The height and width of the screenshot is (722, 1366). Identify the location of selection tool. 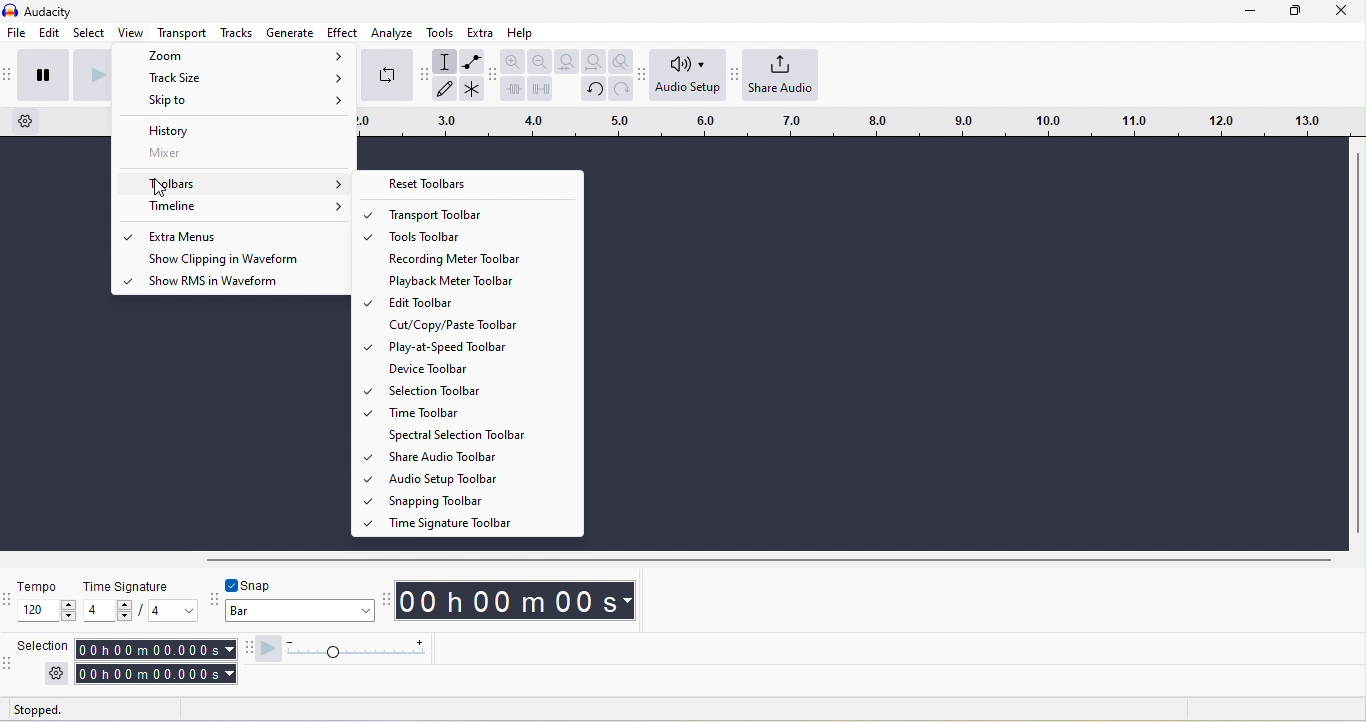
(444, 61).